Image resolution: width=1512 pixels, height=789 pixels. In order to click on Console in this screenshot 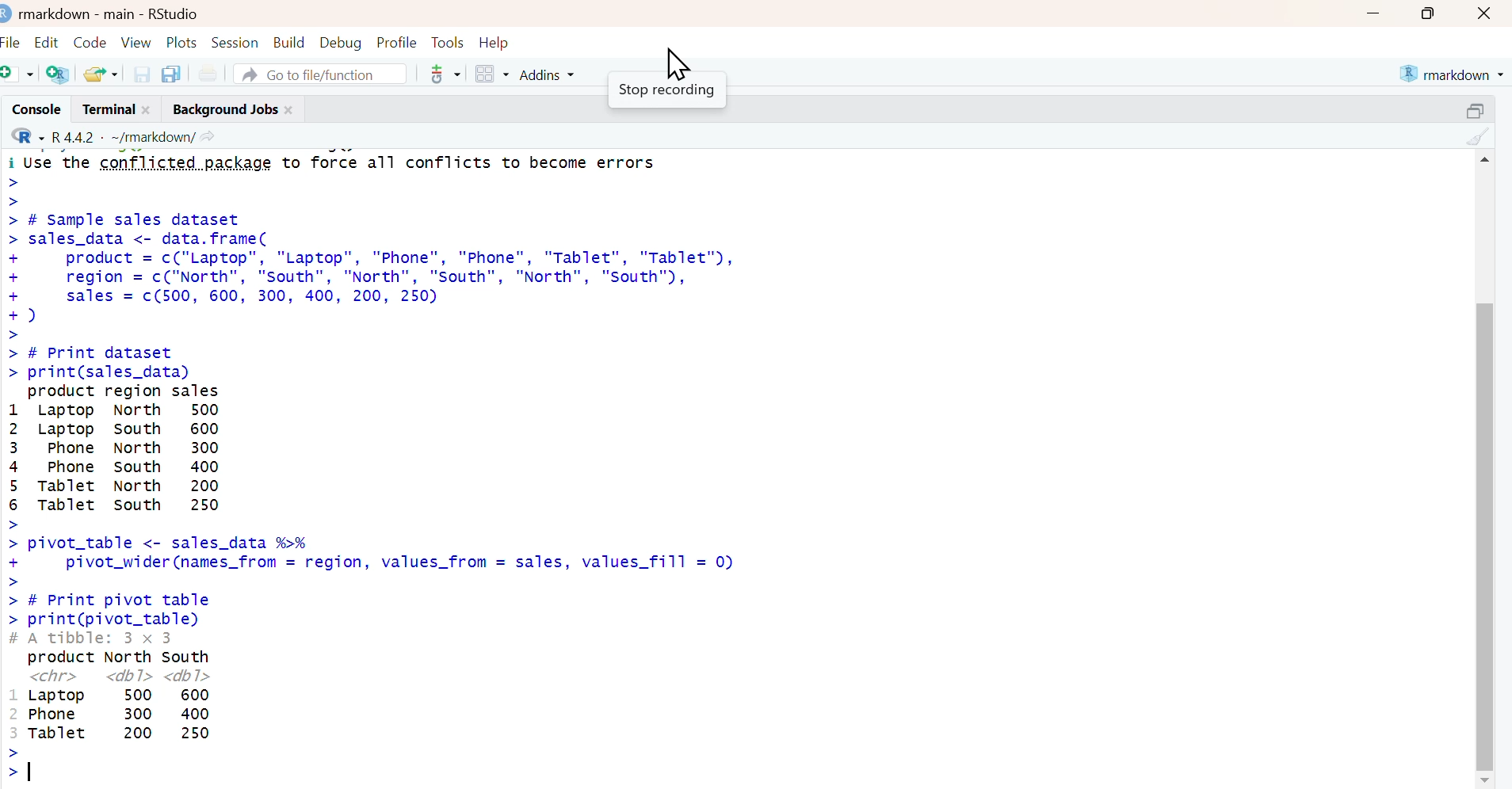, I will do `click(33, 109)`.